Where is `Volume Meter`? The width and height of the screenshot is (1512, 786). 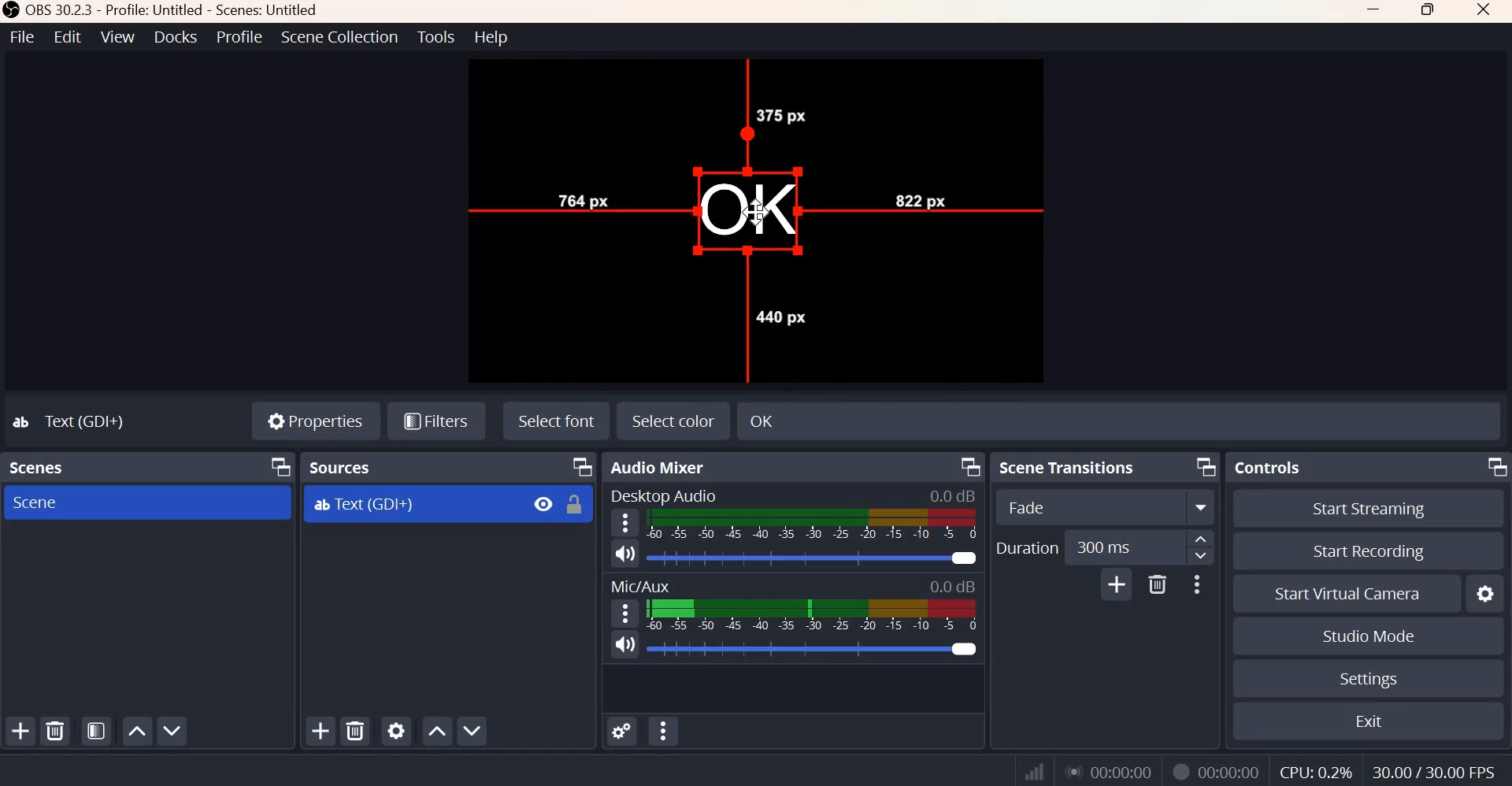 Volume Meter is located at coordinates (811, 615).